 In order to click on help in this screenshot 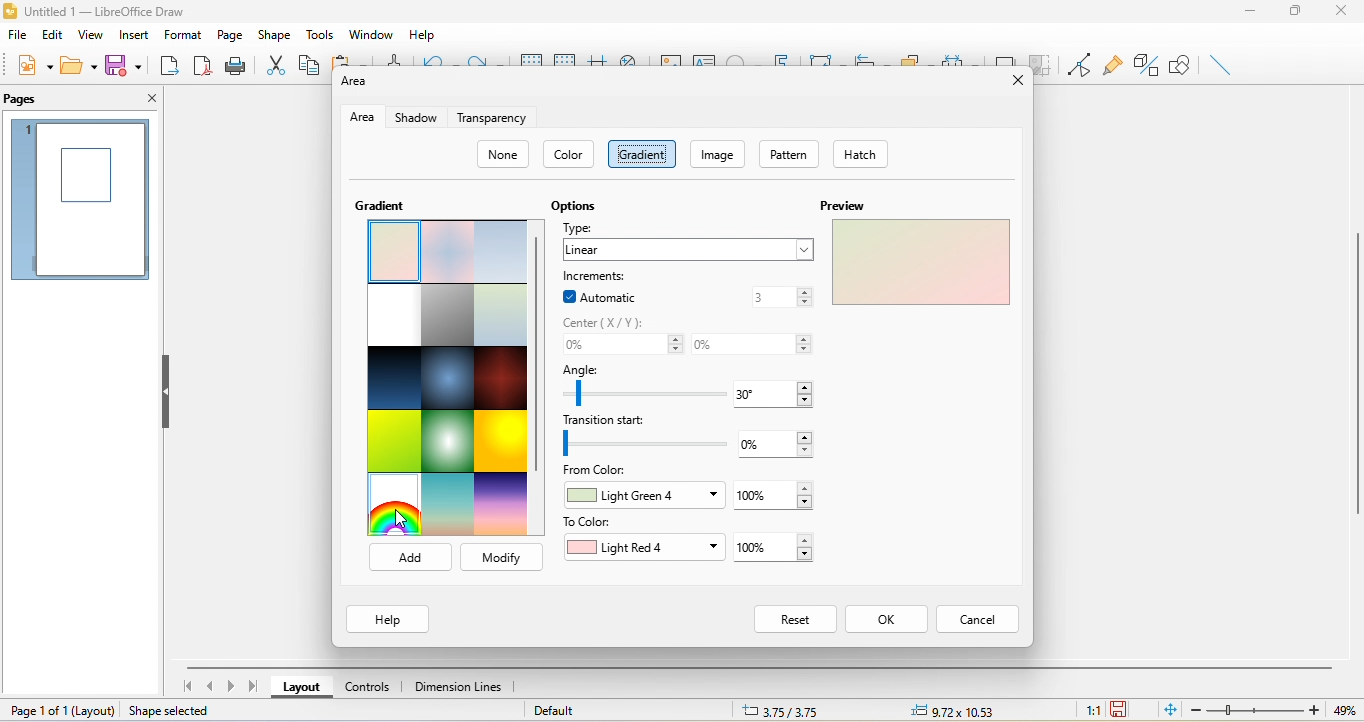, I will do `click(426, 34)`.